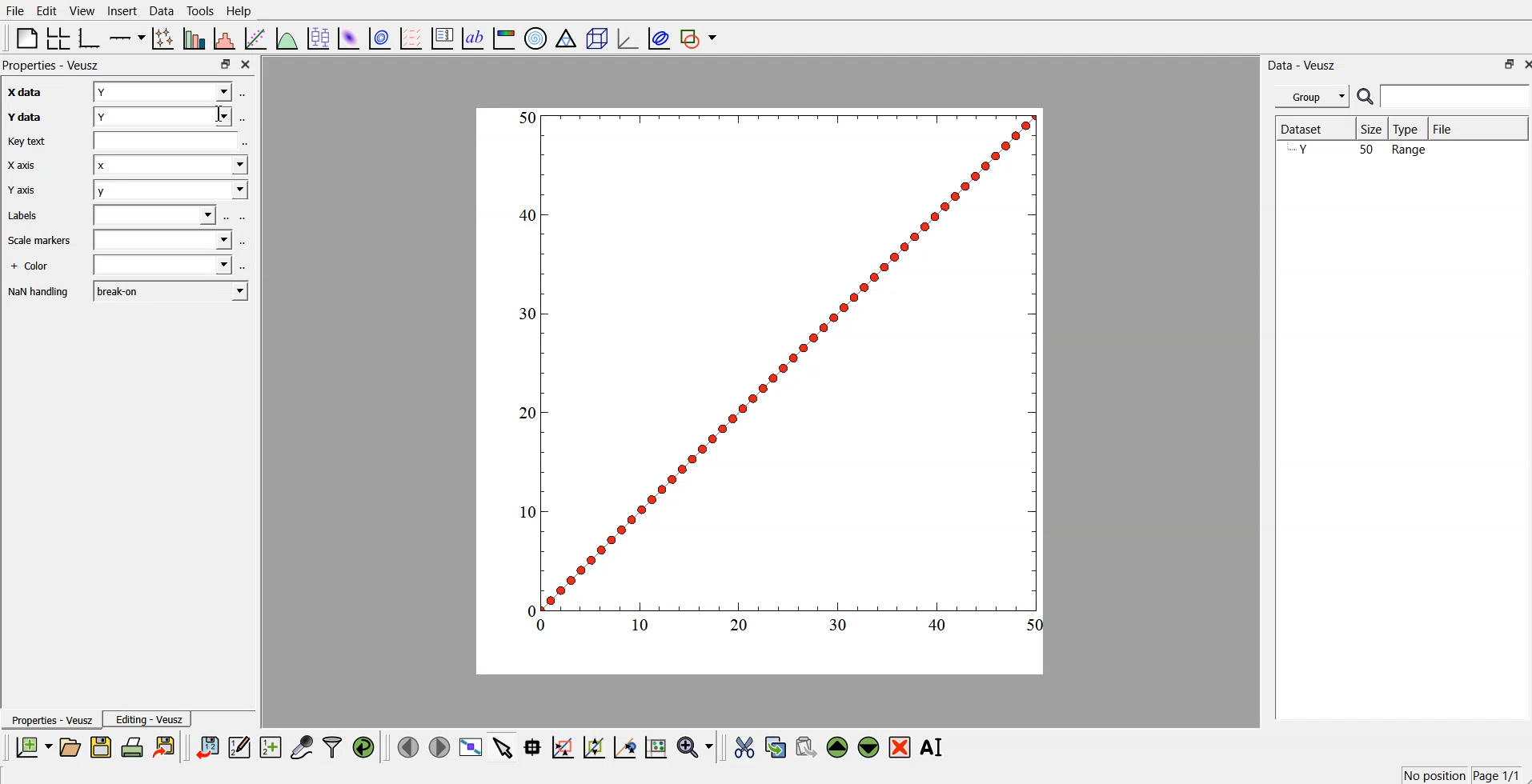 The image size is (1532, 784). I want to click on move the selected widgets down, so click(868, 747).